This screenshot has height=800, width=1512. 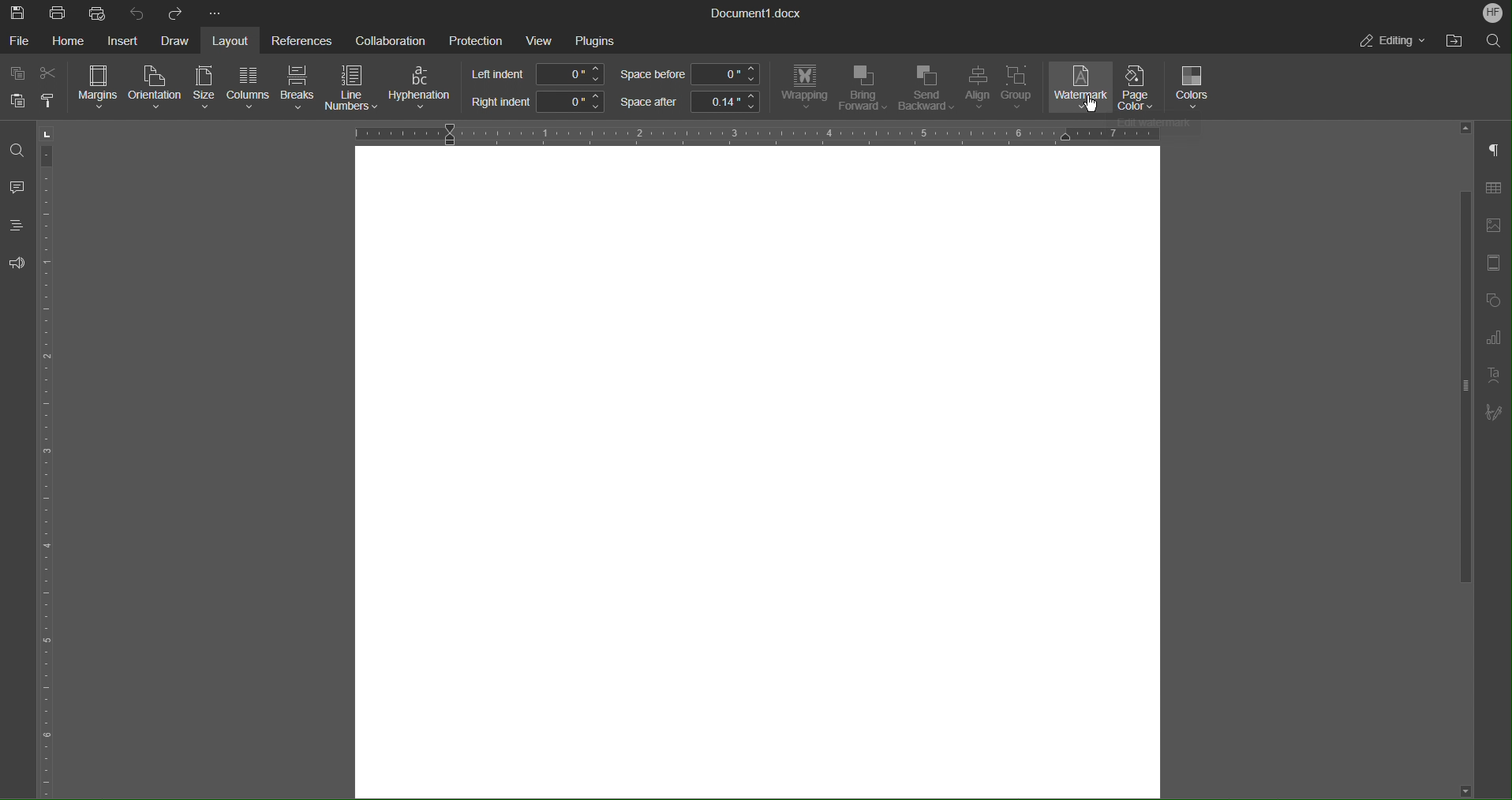 What do you see at coordinates (353, 90) in the screenshot?
I see `Line Numbers` at bounding box center [353, 90].